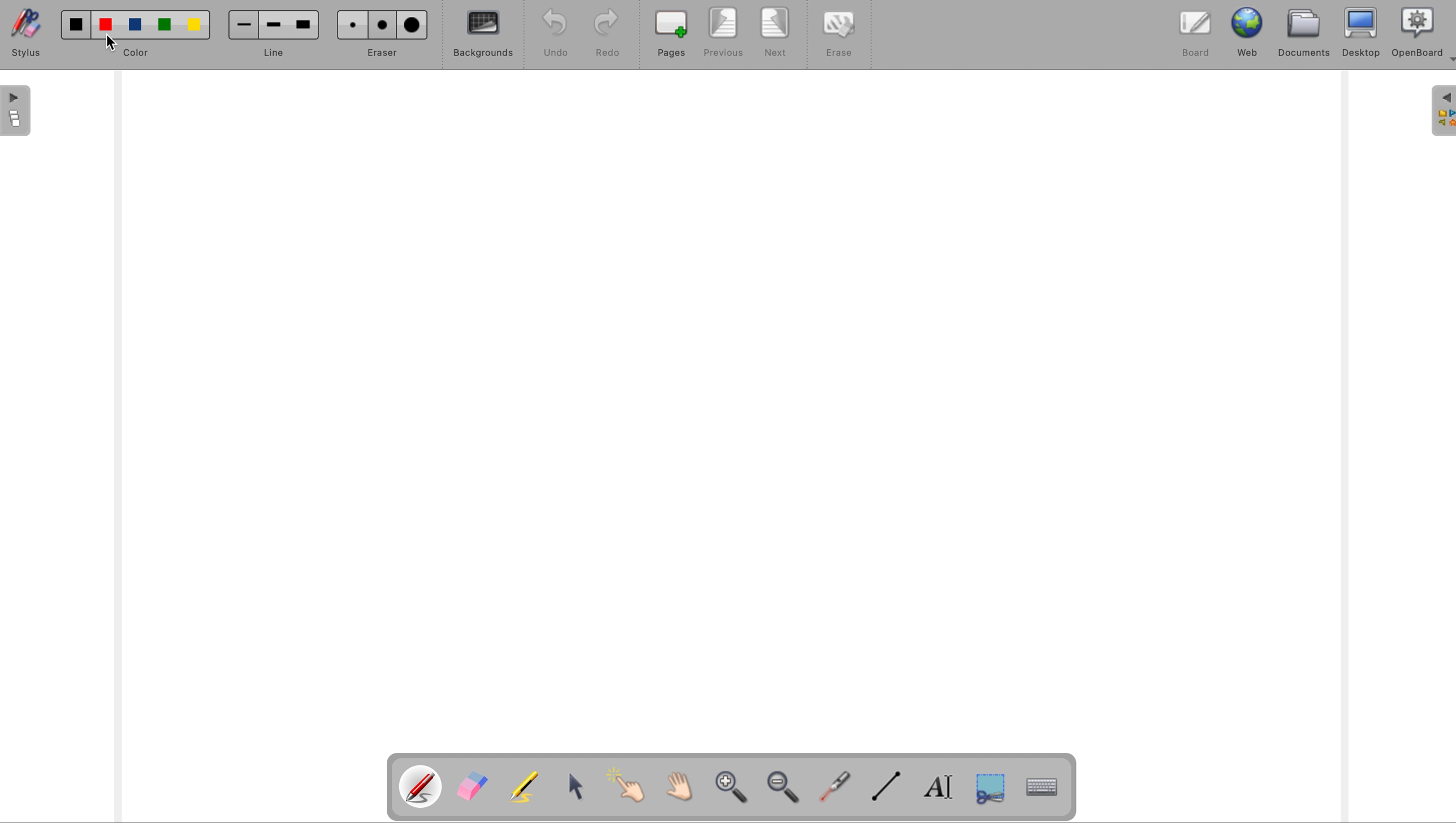 Image resolution: width=1456 pixels, height=823 pixels. I want to click on write text, so click(941, 790).